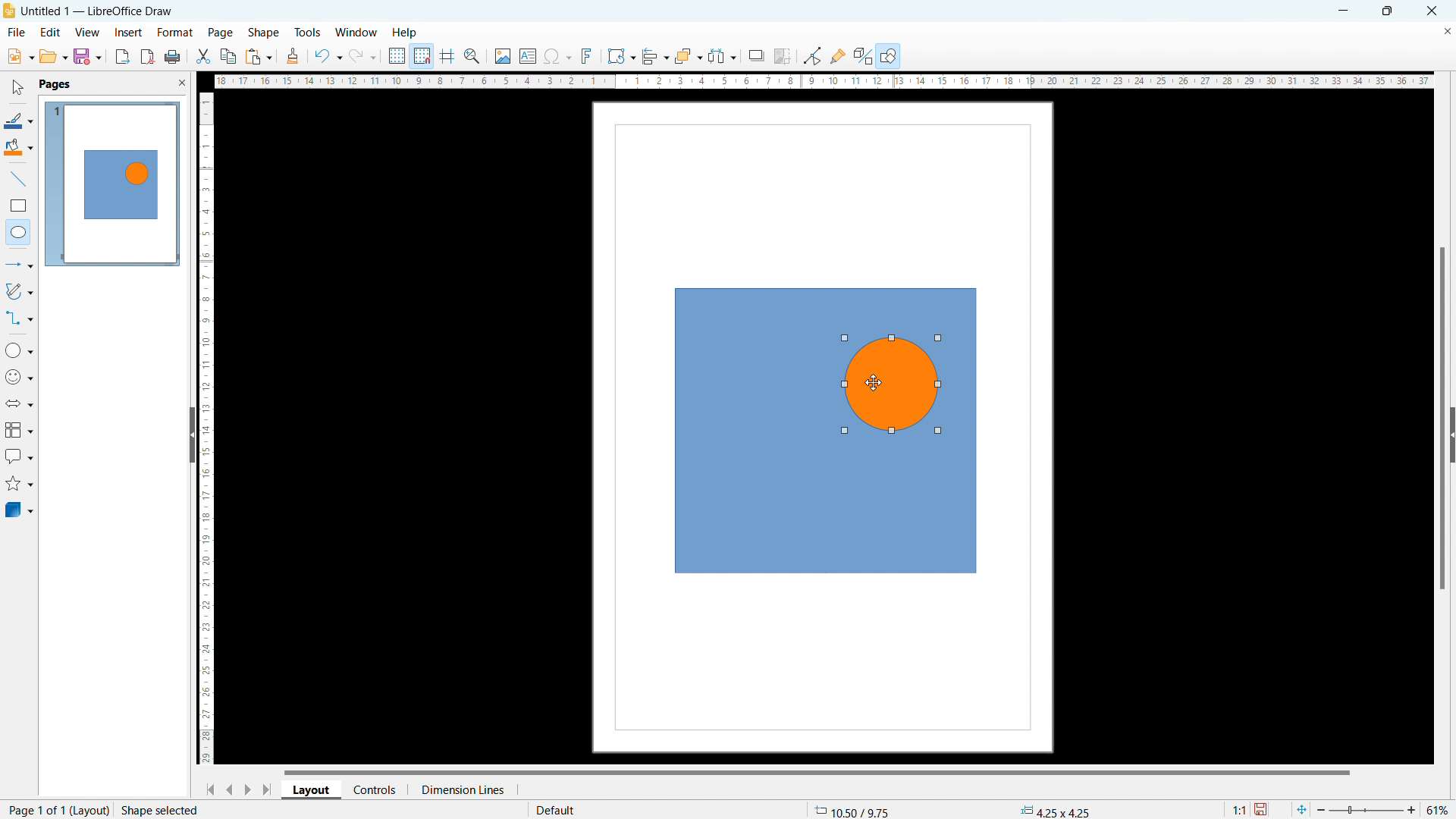 The height and width of the screenshot is (819, 1456). What do you see at coordinates (327, 56) in the screenshot?
I see `undo` at bounding box center [327, 56].